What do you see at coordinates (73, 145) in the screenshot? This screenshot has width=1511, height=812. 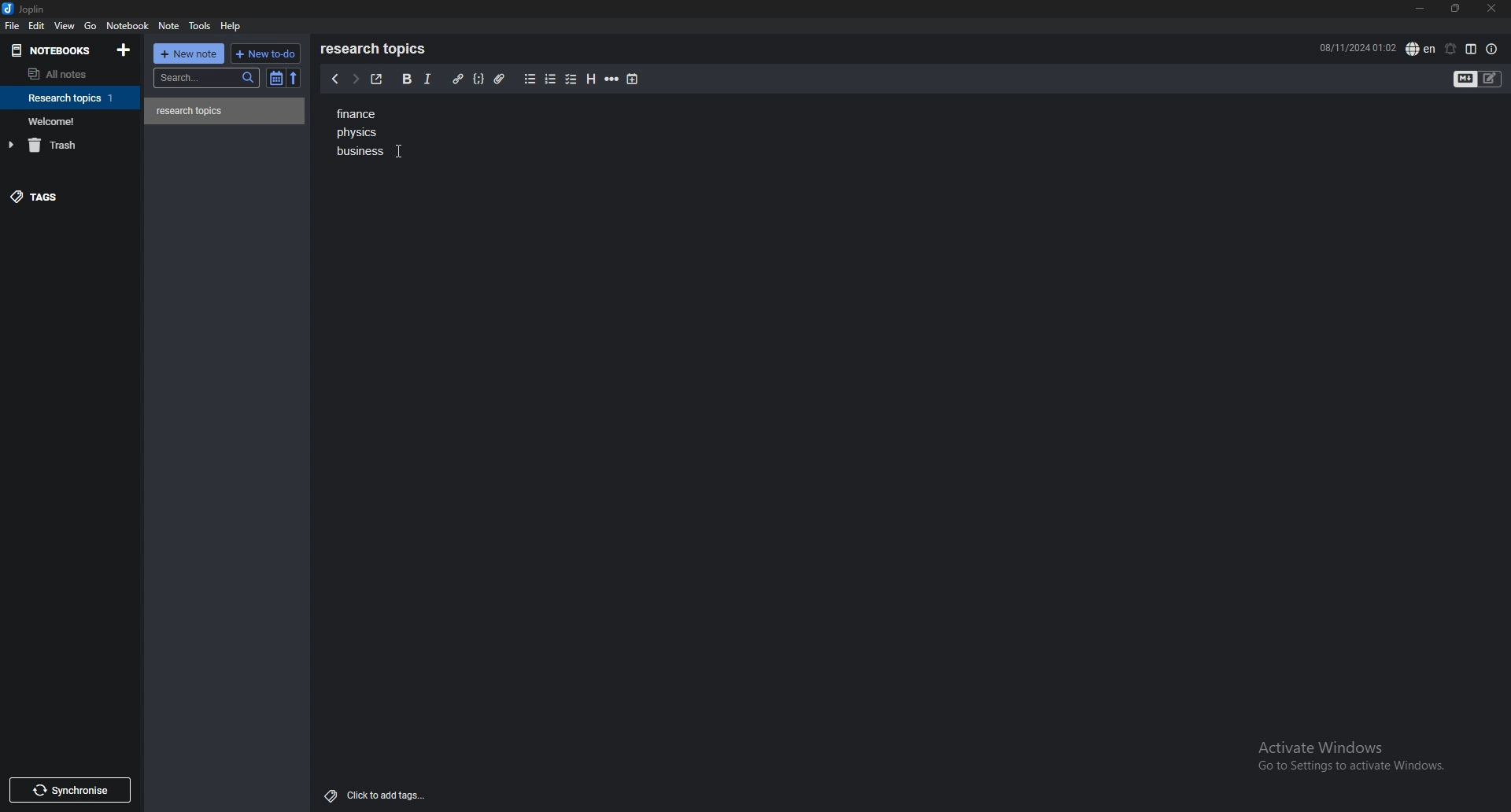 I see `trash` at bounding box center [73, 145].